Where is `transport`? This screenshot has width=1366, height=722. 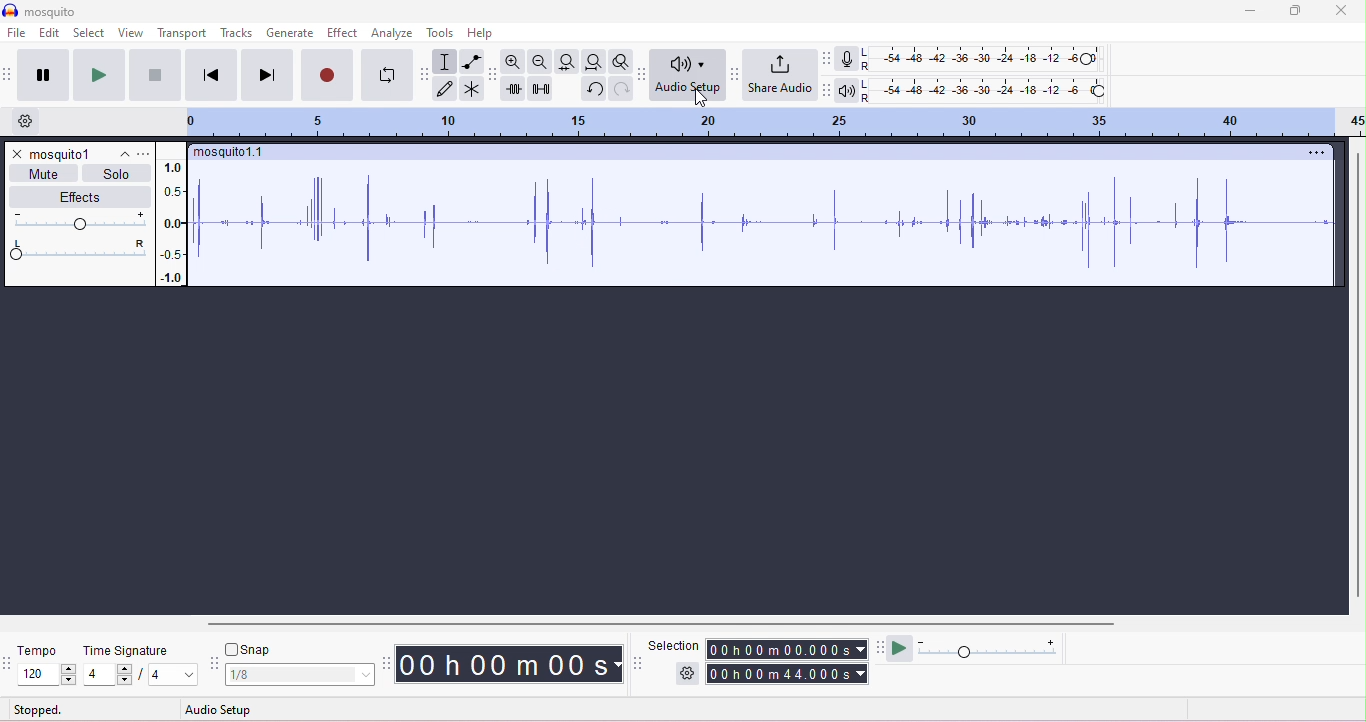 transport is located at coordinates (184, 33).